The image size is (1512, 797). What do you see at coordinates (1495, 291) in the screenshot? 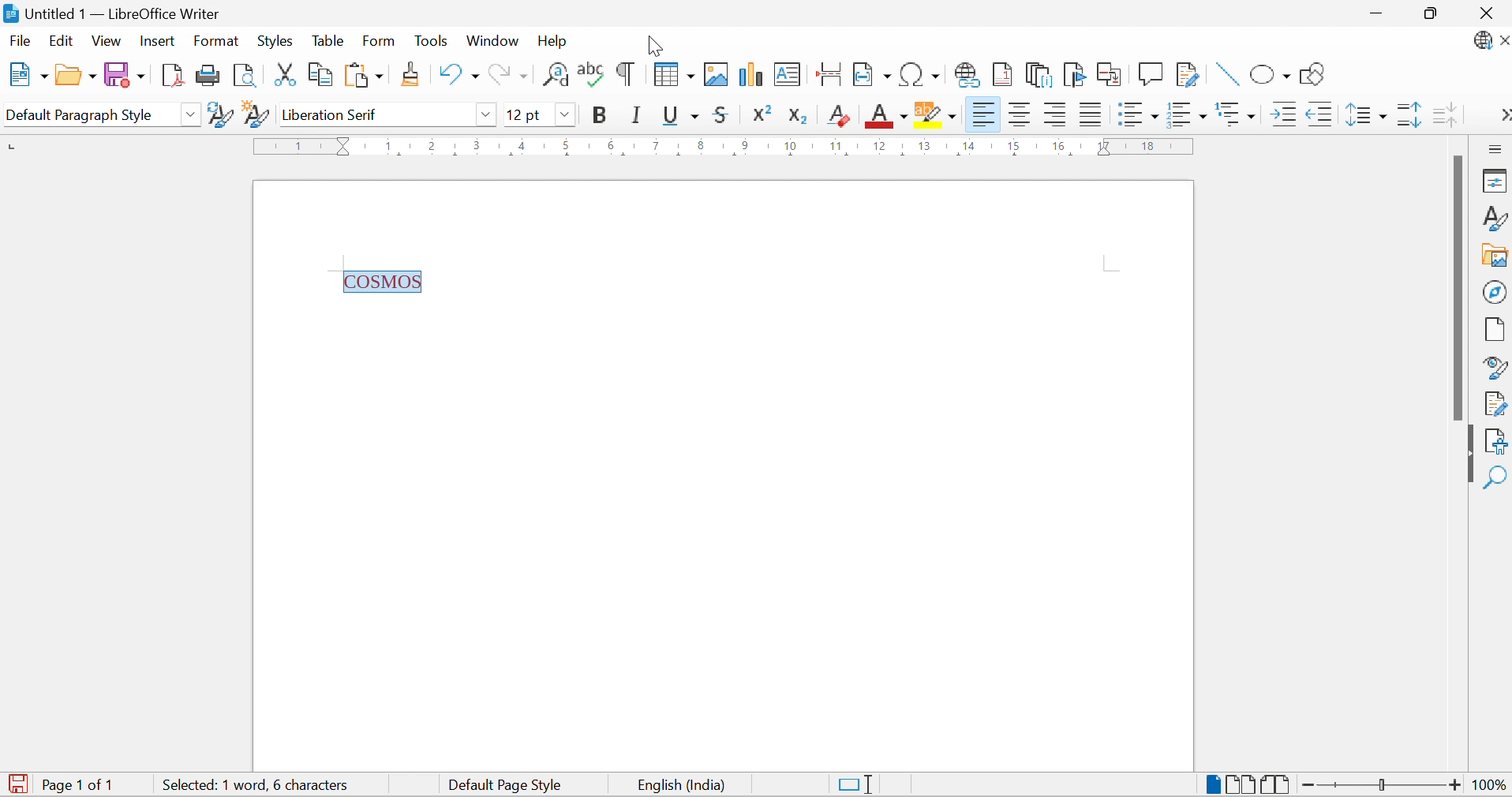
I see `Navigator` at bounding box center [1495, 291].